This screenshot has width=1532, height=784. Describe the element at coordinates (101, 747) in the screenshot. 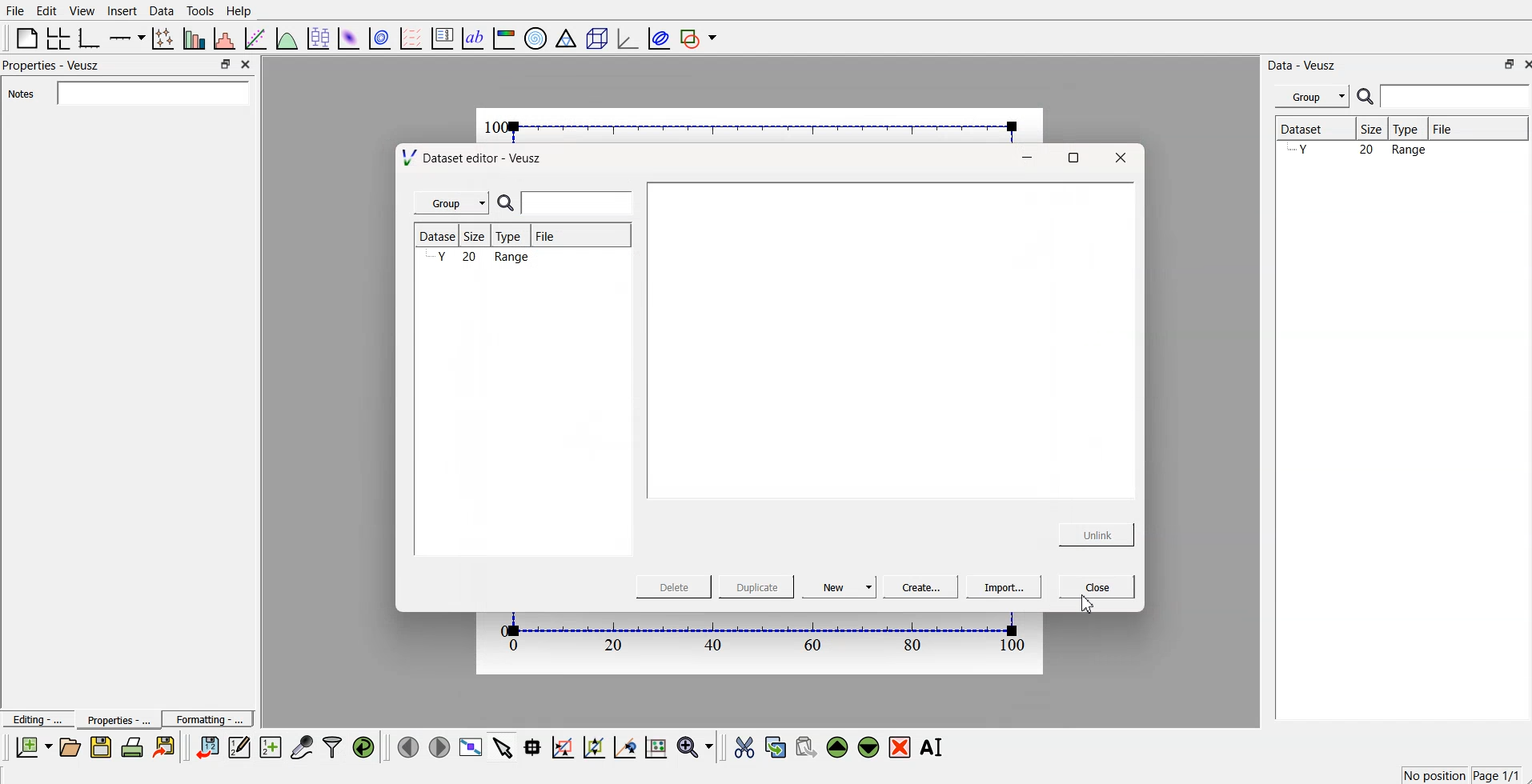

I see `Save` at that location.